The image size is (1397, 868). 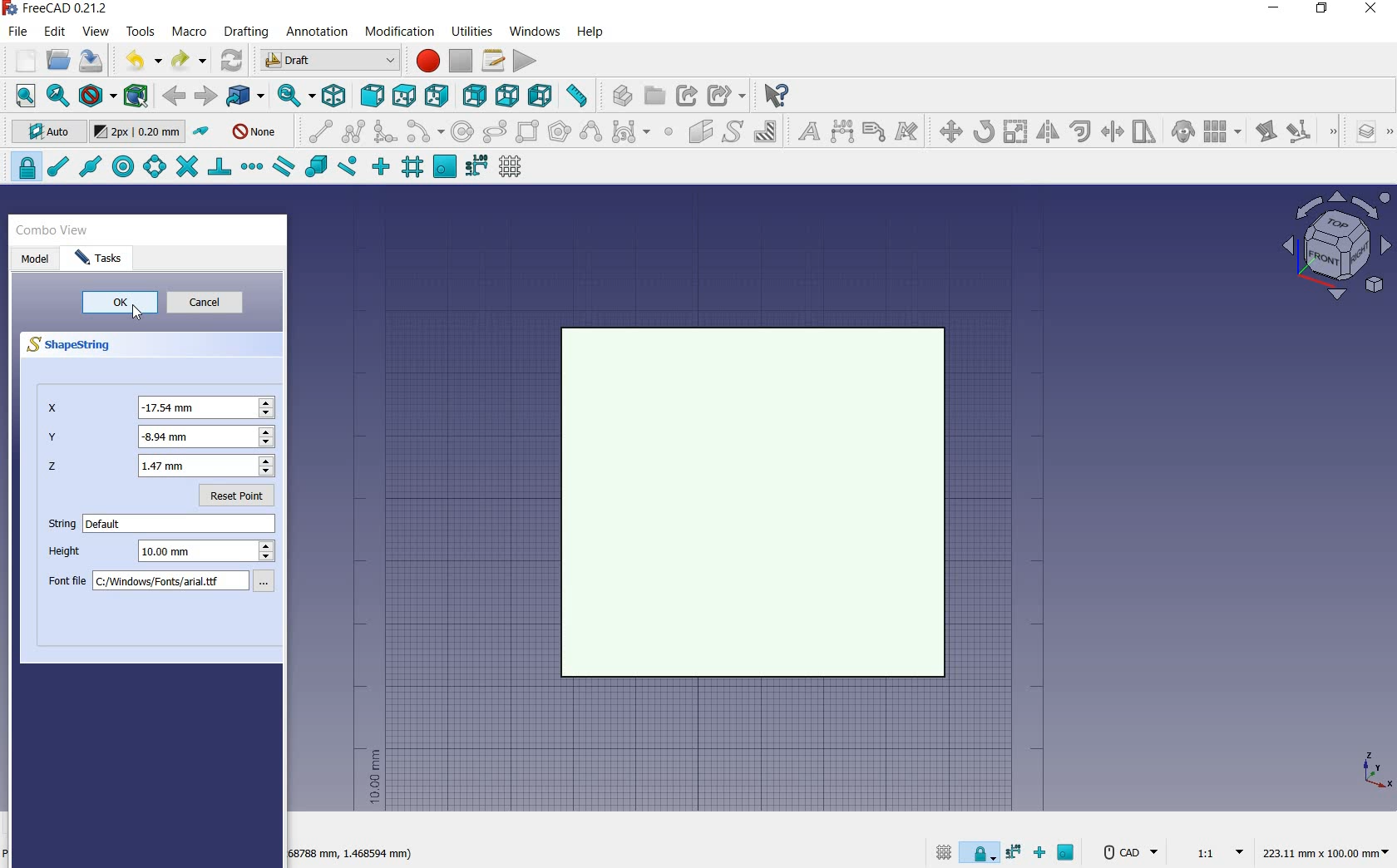 I want to click on snap dimensions, so click(x=476, y=166).